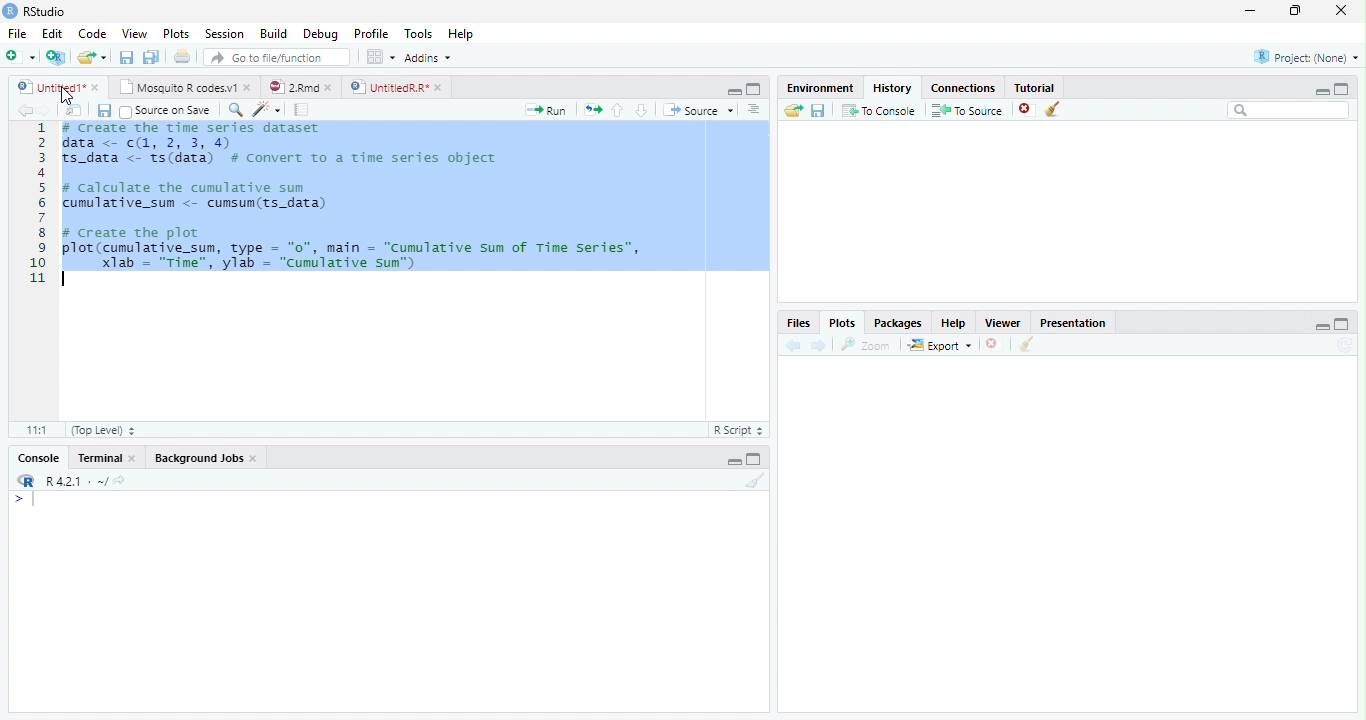  I want to click on Save, so click(820, 111).